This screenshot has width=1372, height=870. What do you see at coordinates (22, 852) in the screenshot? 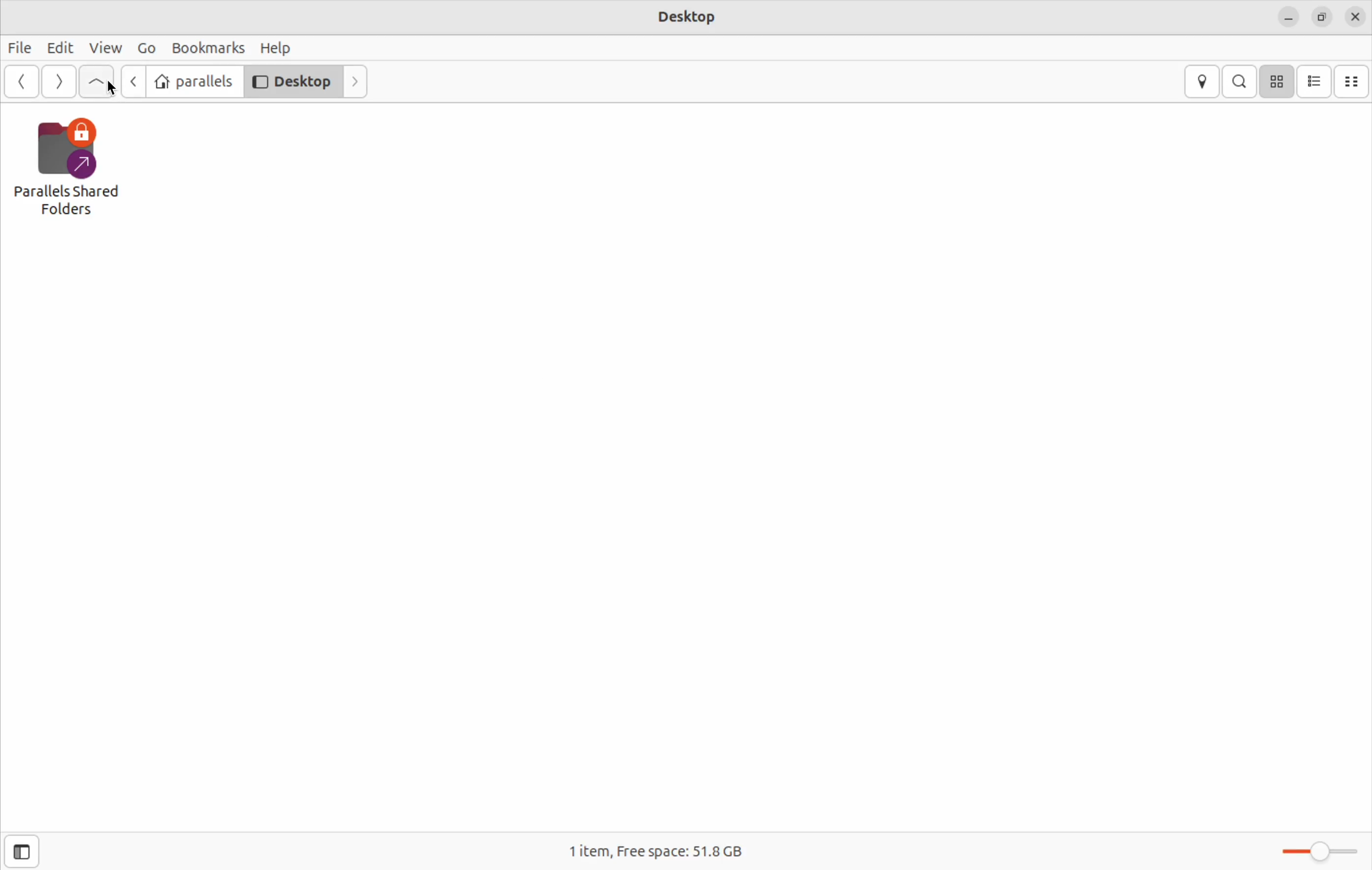
I see `show side bar` at bounding box center [22, 852].